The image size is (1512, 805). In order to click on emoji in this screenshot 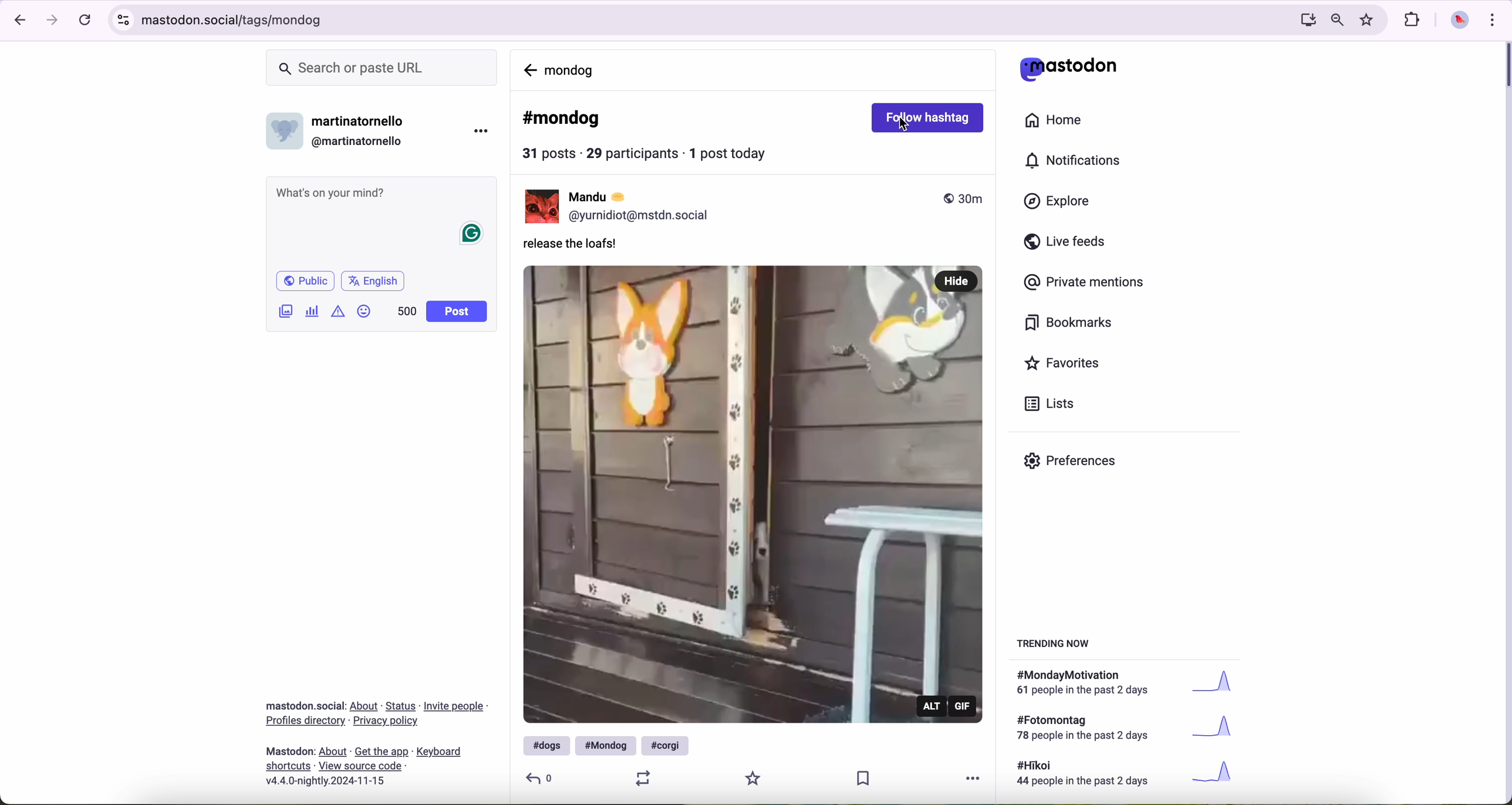, I will do `click(365, 313)`.